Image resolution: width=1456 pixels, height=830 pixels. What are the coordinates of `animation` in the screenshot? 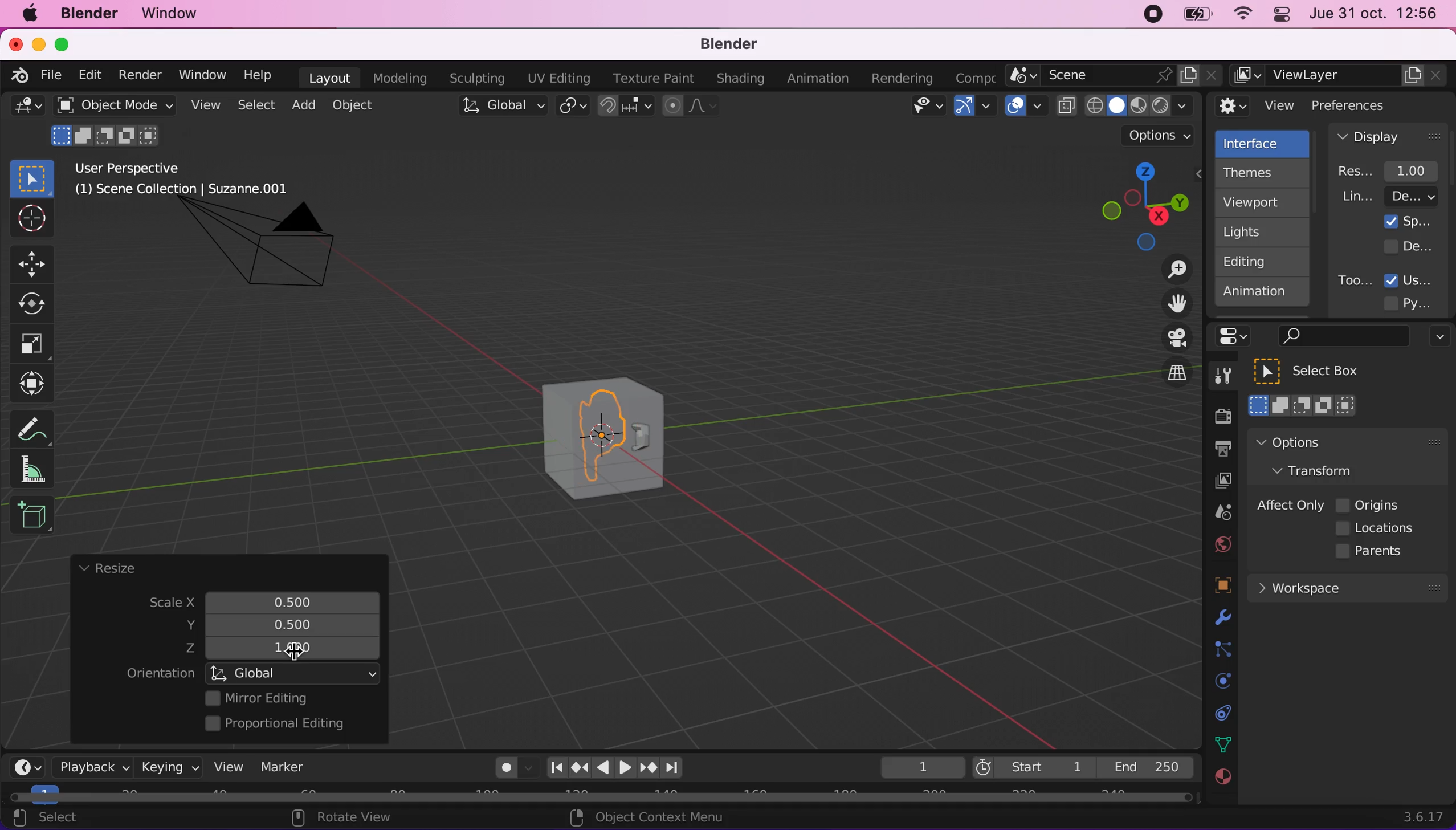 It's located at (821, 79).